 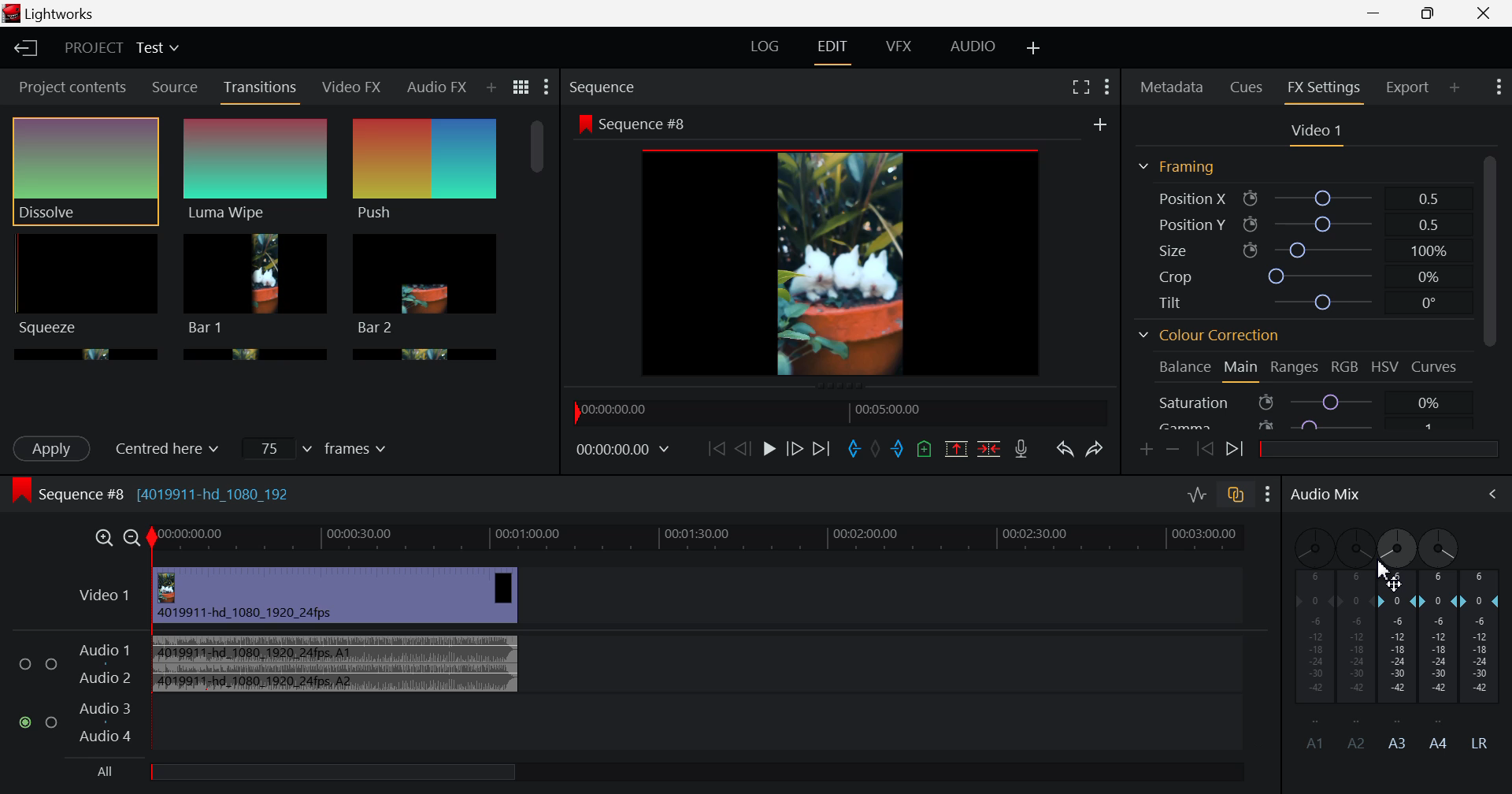 I want to click on Undo, so click(x=1066, y=451).